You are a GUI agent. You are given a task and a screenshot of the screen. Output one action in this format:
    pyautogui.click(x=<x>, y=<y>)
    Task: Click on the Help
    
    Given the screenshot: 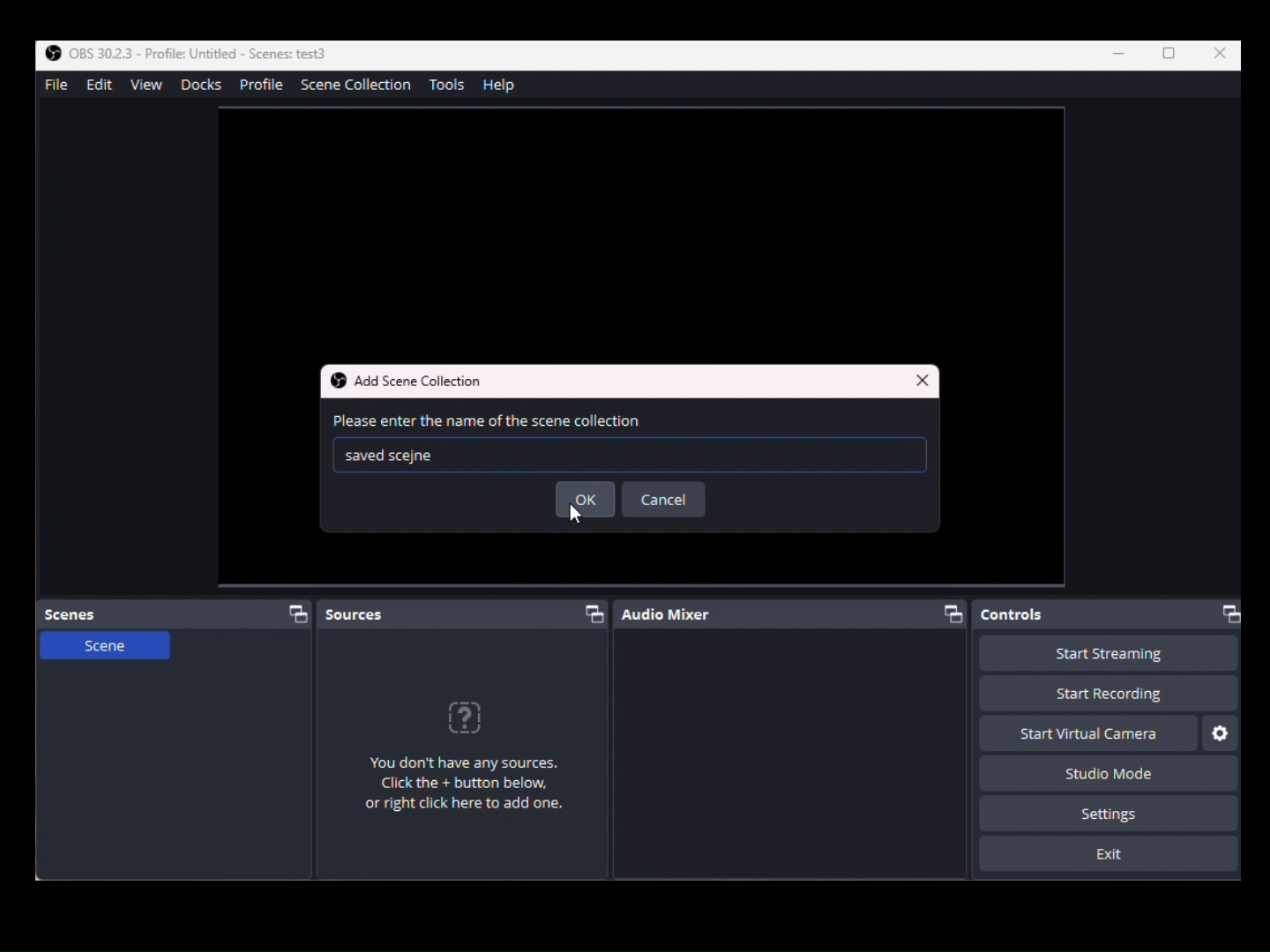 What is the action you would take?
    pyautogui.click(x=504, y=85)
    